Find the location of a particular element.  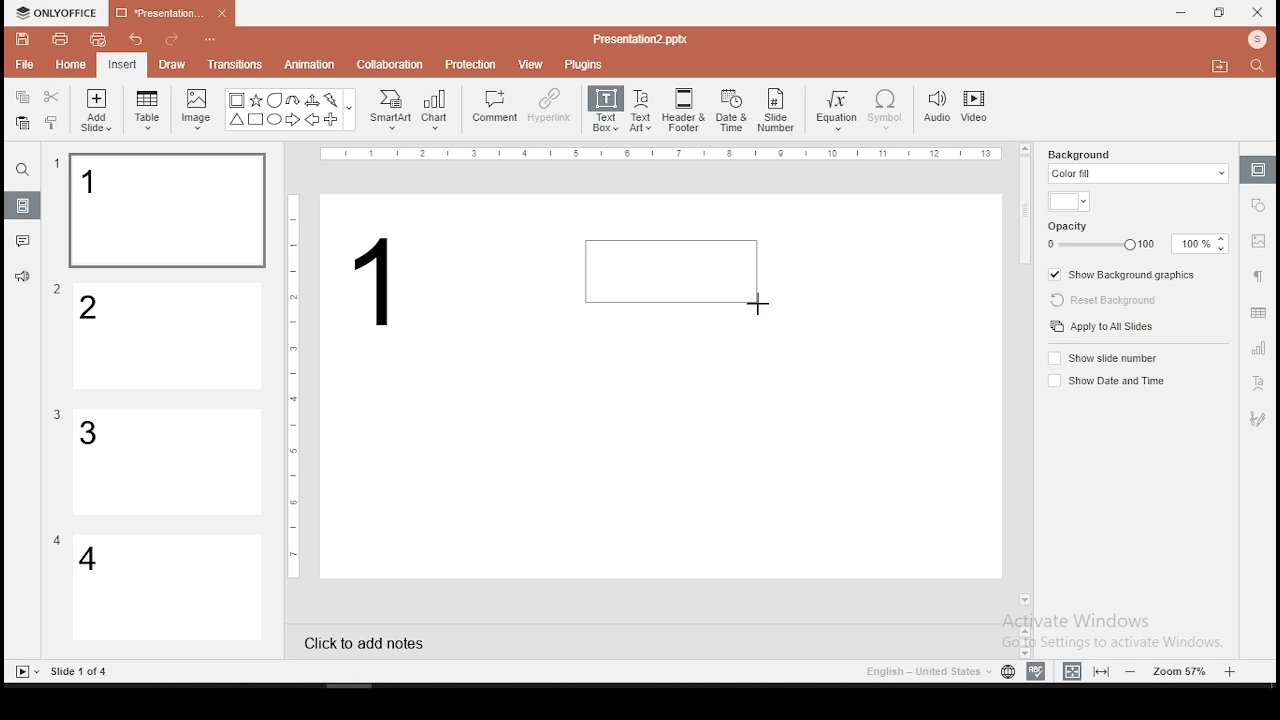

 is located at coordinates (214, 41).